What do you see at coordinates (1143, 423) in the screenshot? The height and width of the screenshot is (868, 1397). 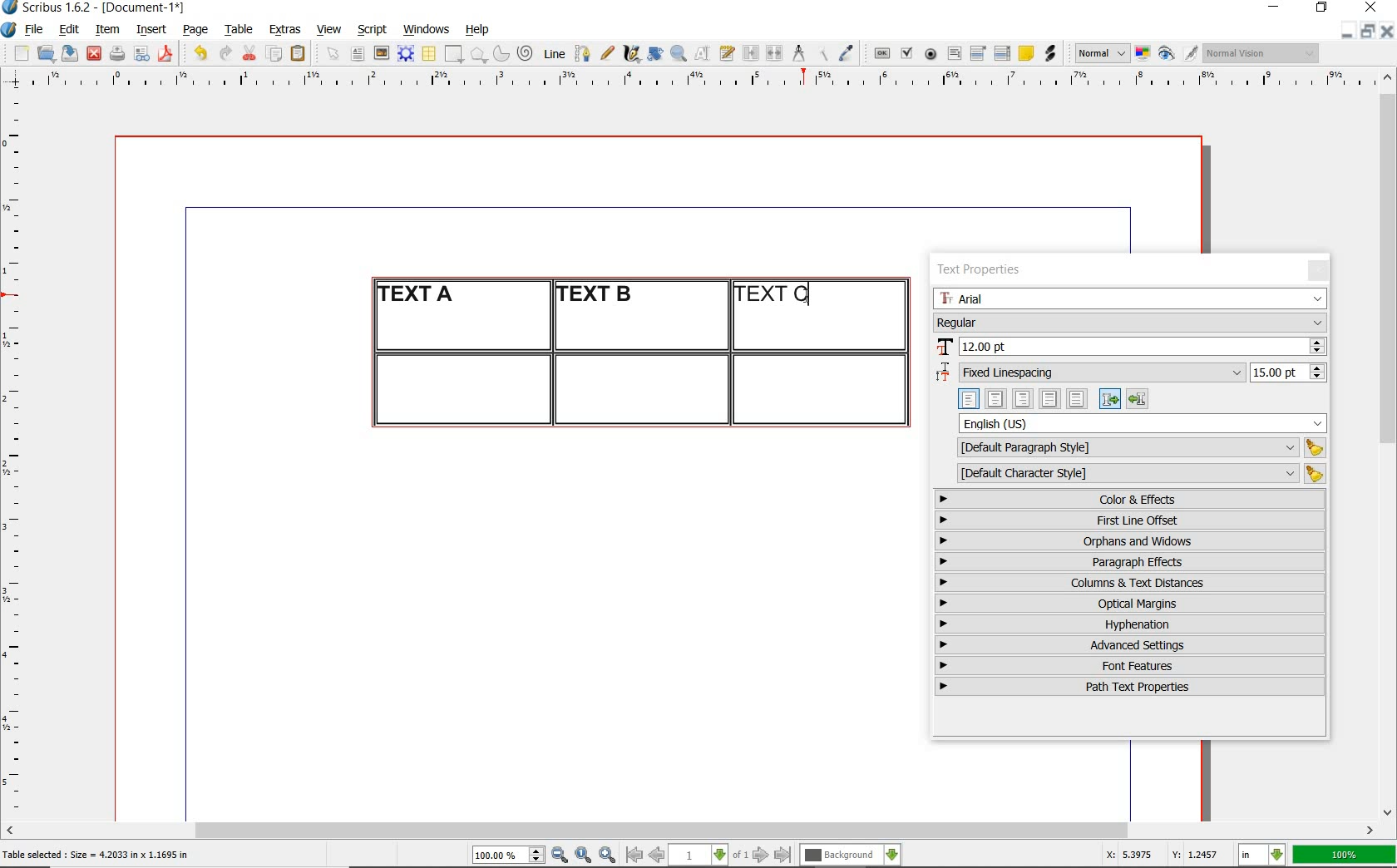 I see `text language` at bounding box center [1143, 423].